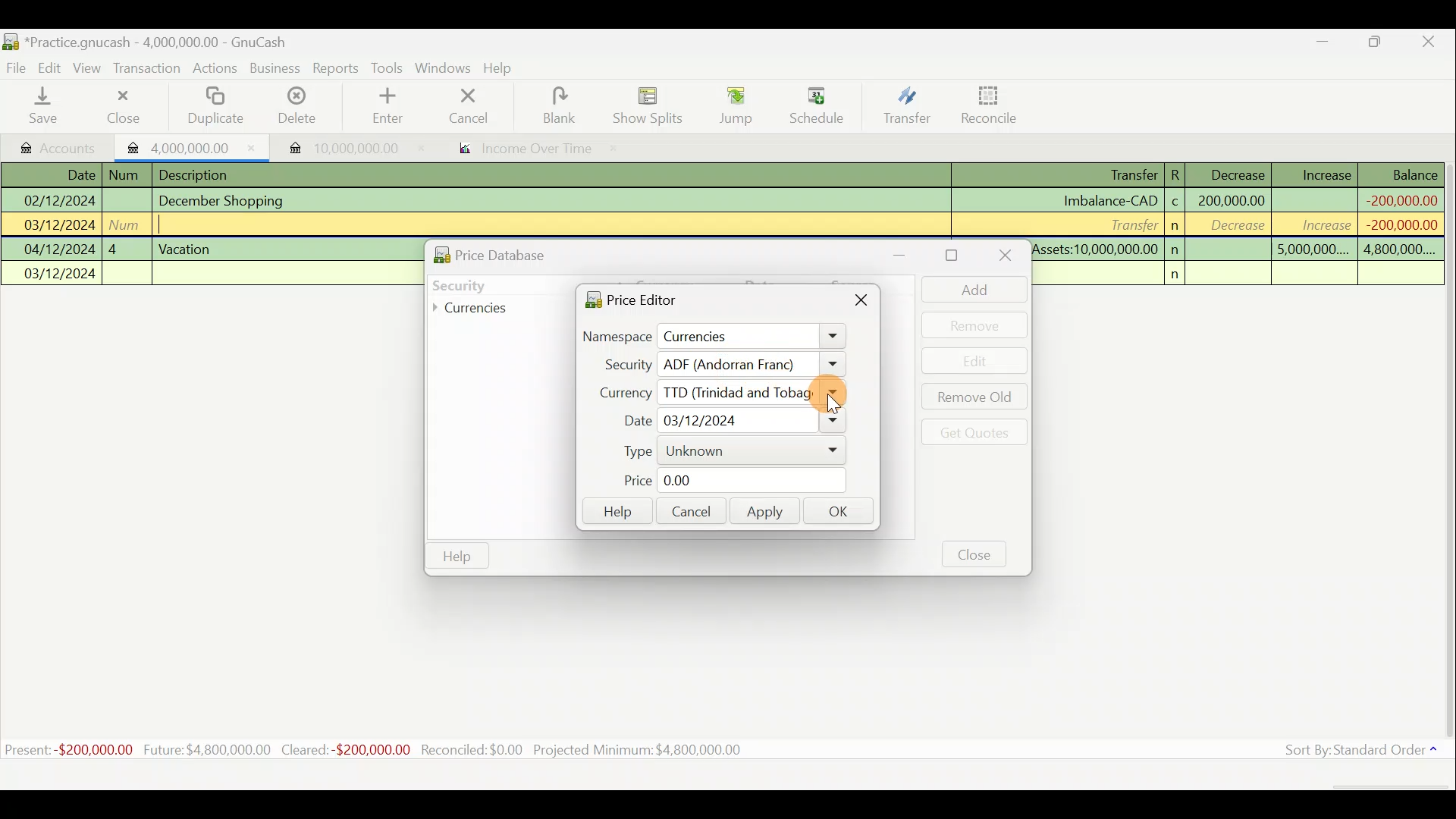 The height and width of the screenshot is (819, 1456). I want to click on Assets:10,000,000.00, so click(1095, 247).